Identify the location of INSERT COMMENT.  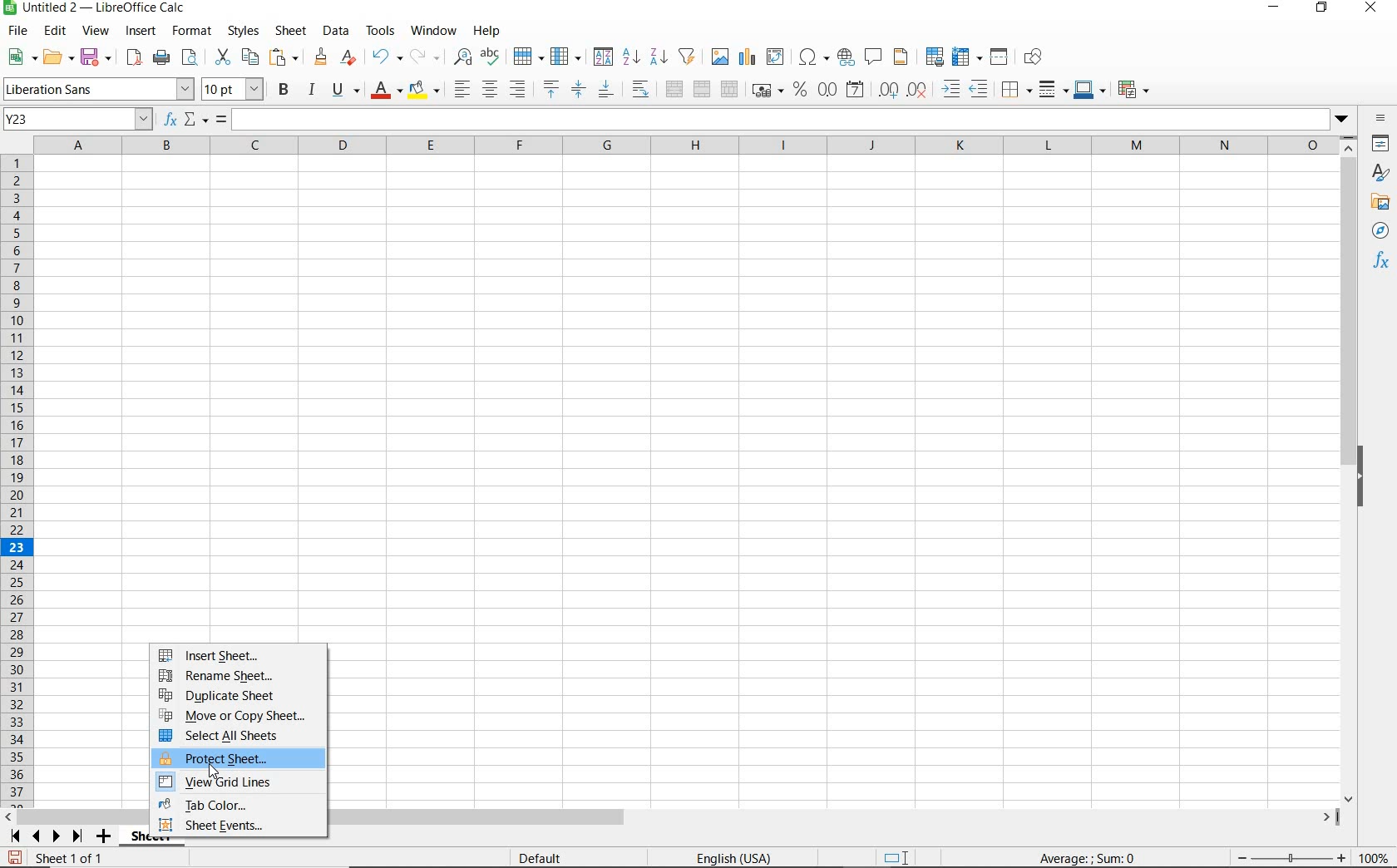
(873, 56).